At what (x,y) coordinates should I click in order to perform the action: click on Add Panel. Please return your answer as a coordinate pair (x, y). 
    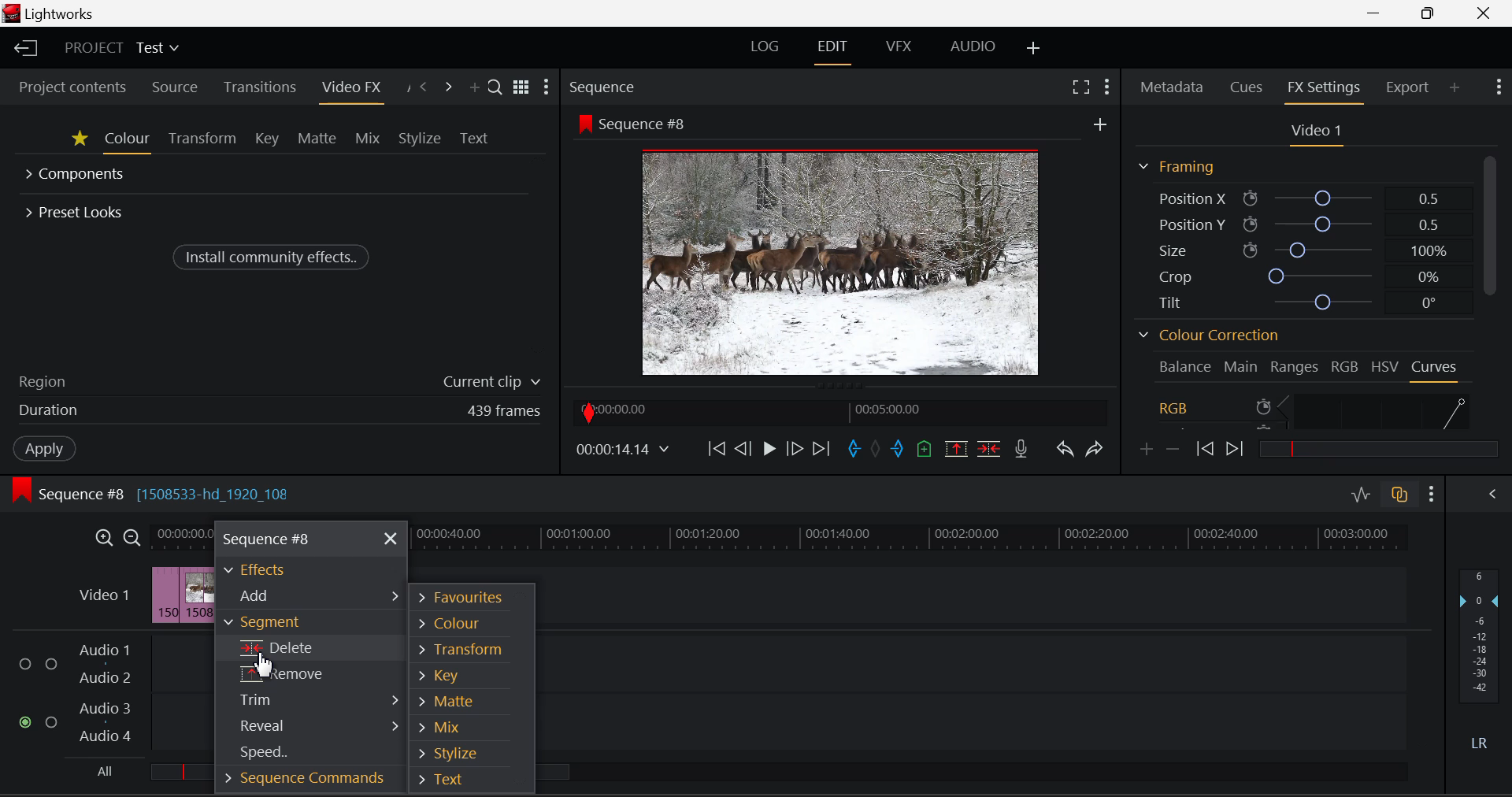
    Looking at the image, I should click on (1455, 87).